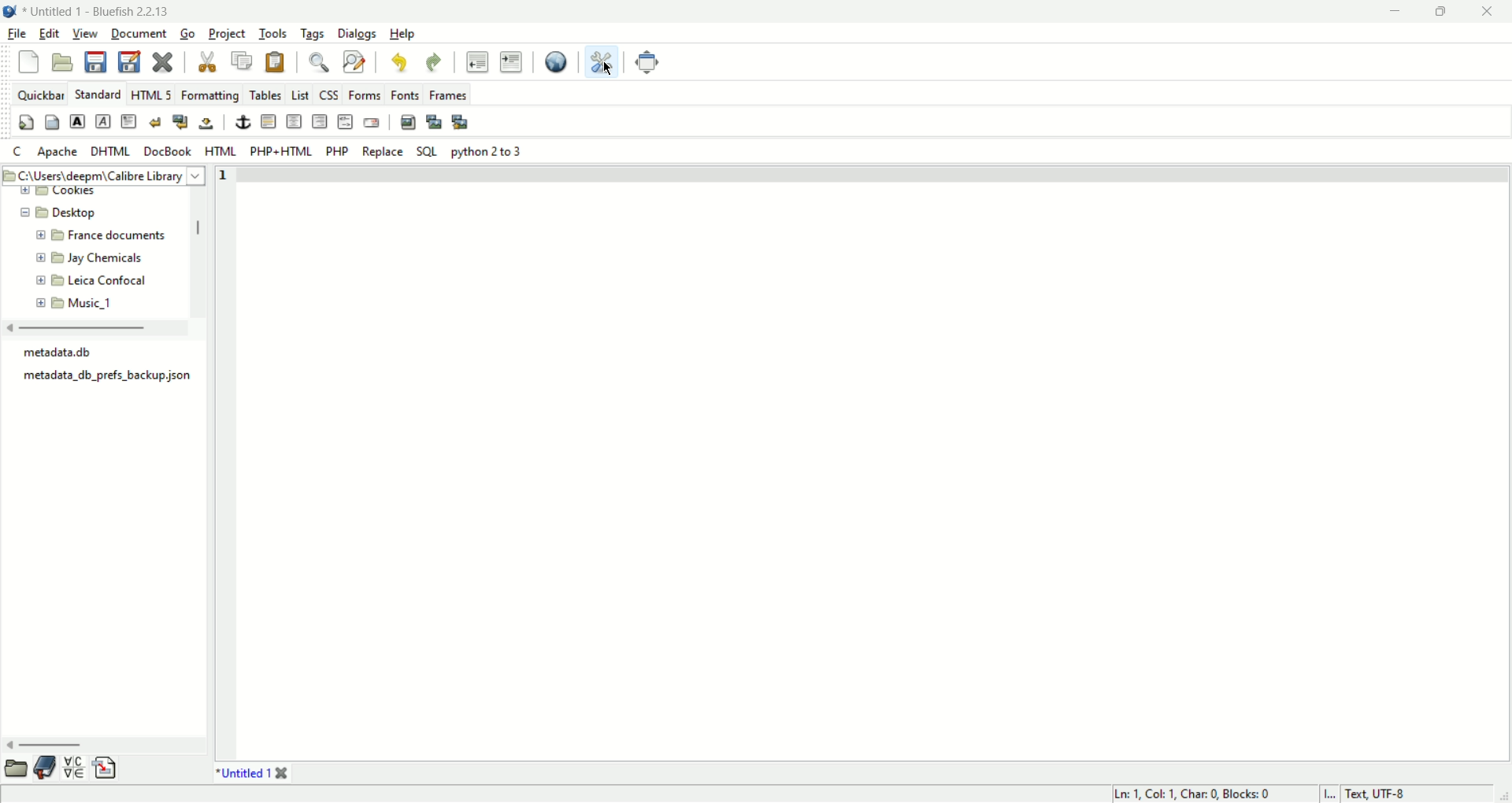 This screenshot has width=1512, height=803. Describe the element at coordinates (282, 774) in the screenshot. I see `close` at that location.